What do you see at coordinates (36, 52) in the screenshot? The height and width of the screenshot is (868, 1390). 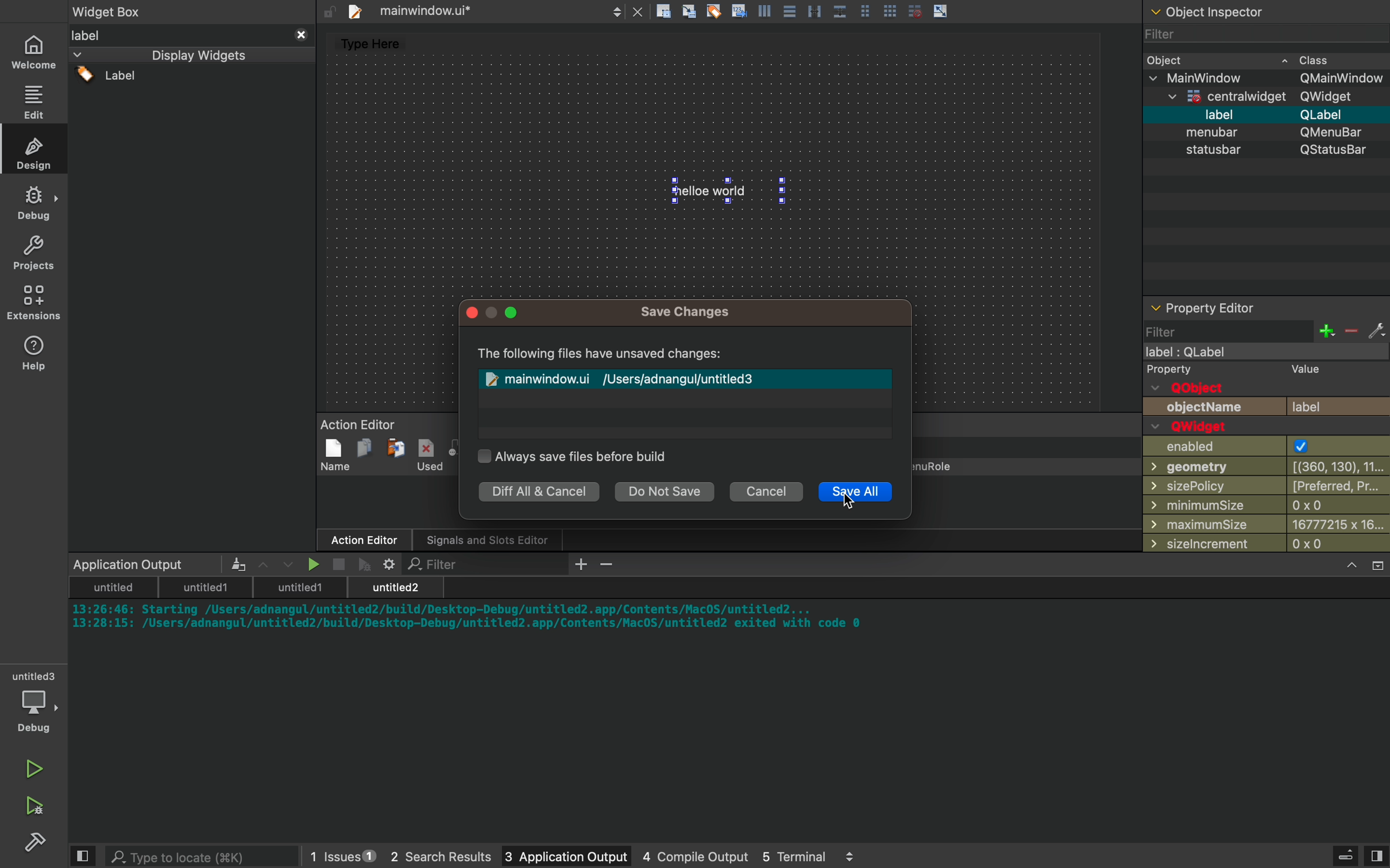 I see `home` at bounding box center [36, 52].